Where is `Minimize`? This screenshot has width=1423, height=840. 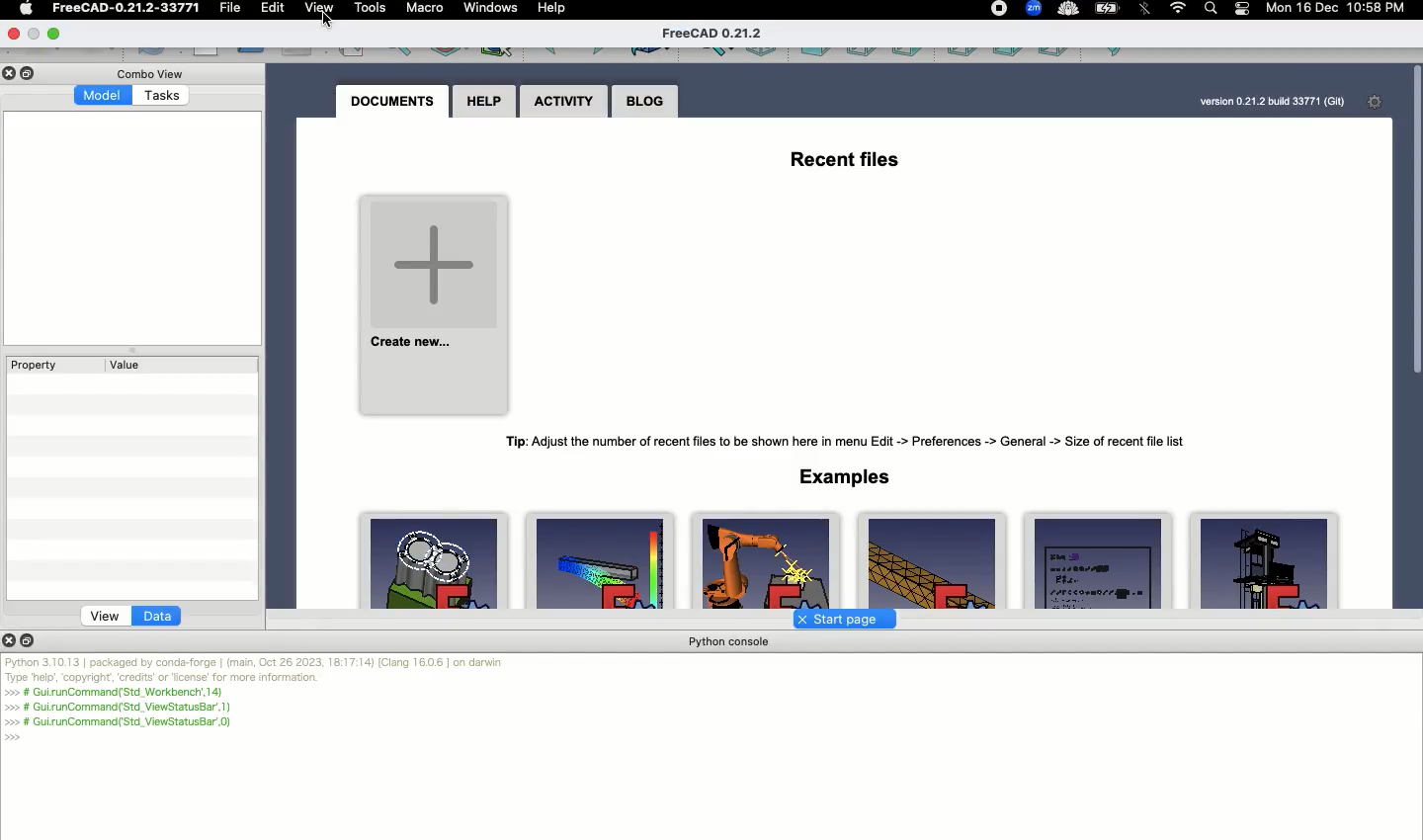
Minimize is located at coordinates (55, 32).